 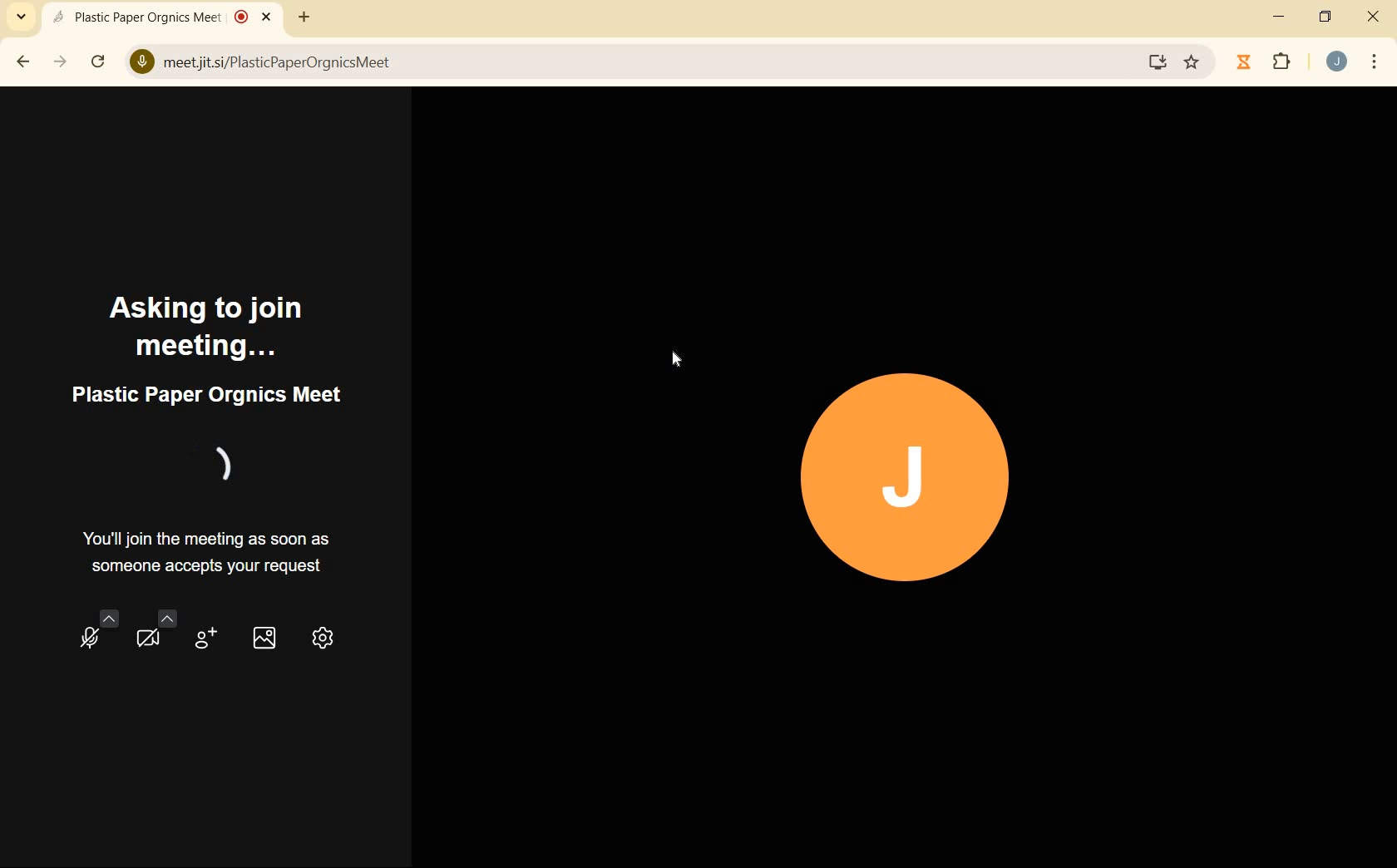 I want to click on back, so click(x=24, y=62).